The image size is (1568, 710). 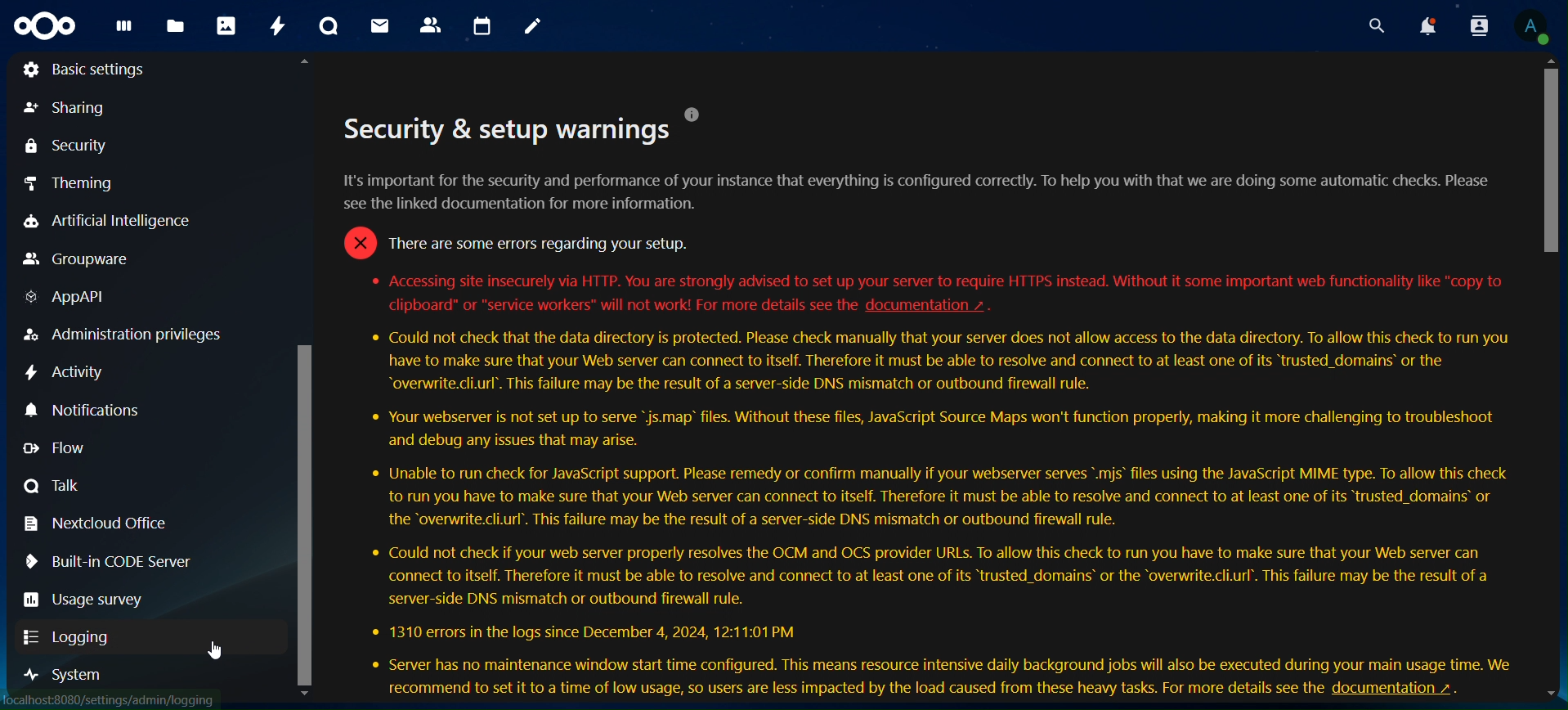 What do you see at coordinates (329, 25) in the screenshot?
I see `talk` at bounding box center [329, 25].